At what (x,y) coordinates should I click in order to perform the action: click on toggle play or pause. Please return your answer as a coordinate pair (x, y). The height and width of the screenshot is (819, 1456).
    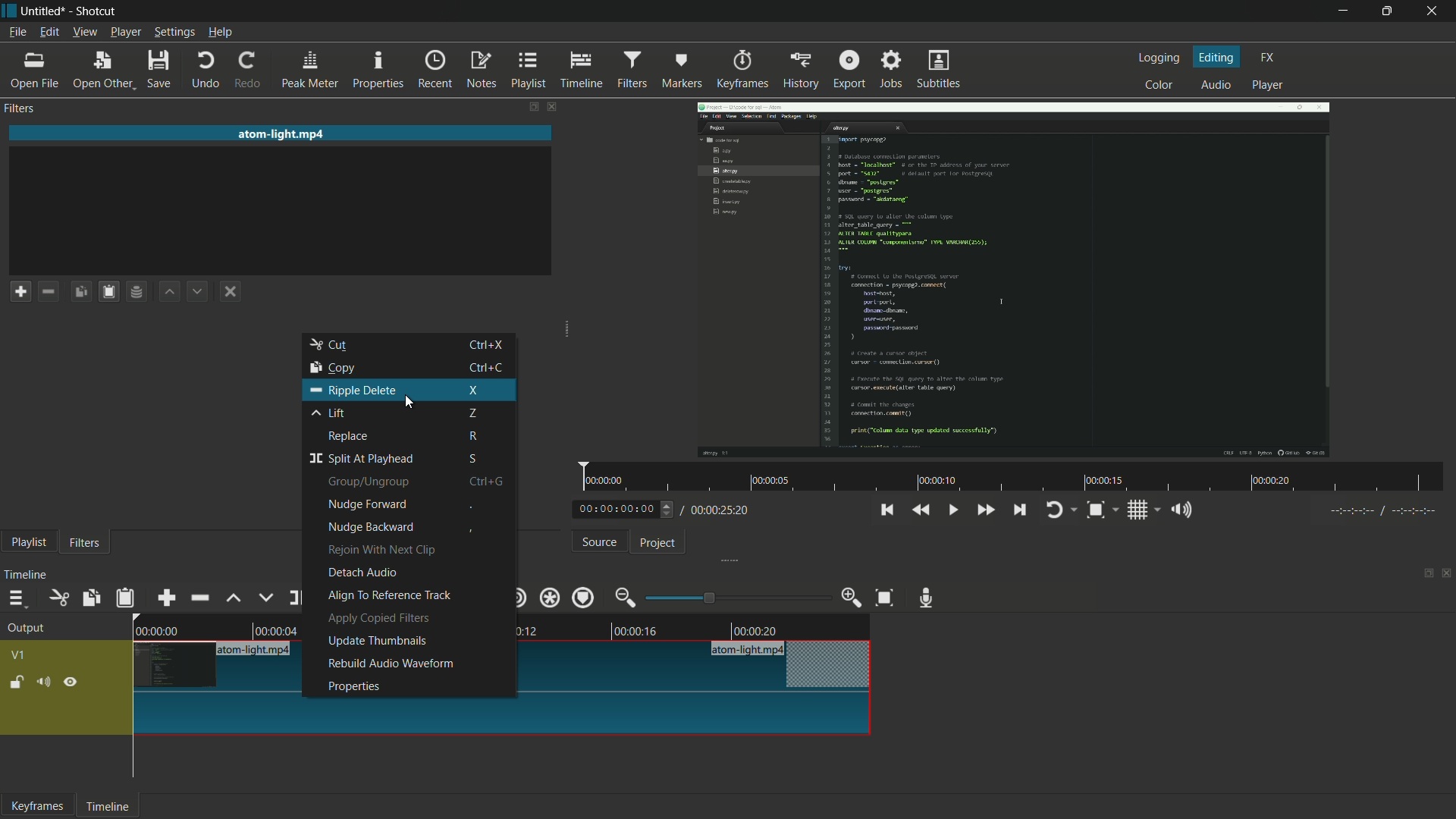
    Looking at the image, I should click on (952, 510).